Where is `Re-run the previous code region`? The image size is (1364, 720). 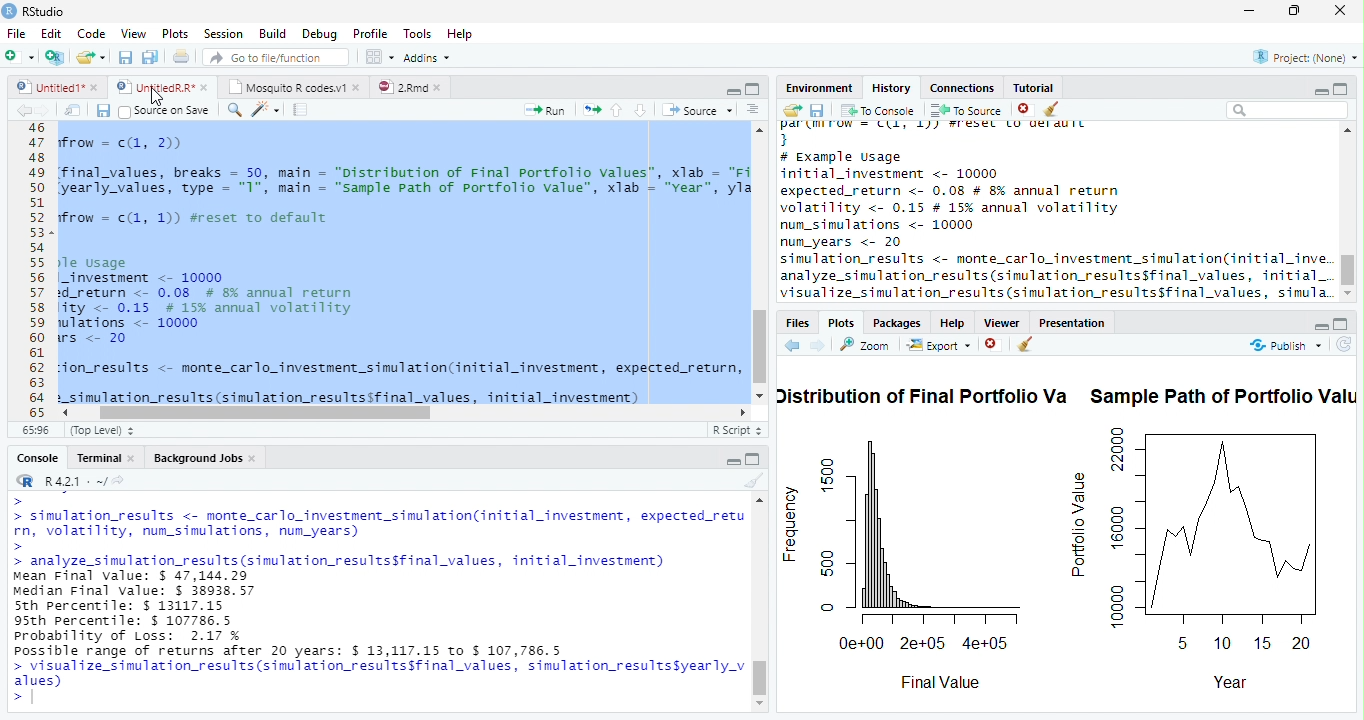
Re-run the previous code region is located at coordinates (590, 110).